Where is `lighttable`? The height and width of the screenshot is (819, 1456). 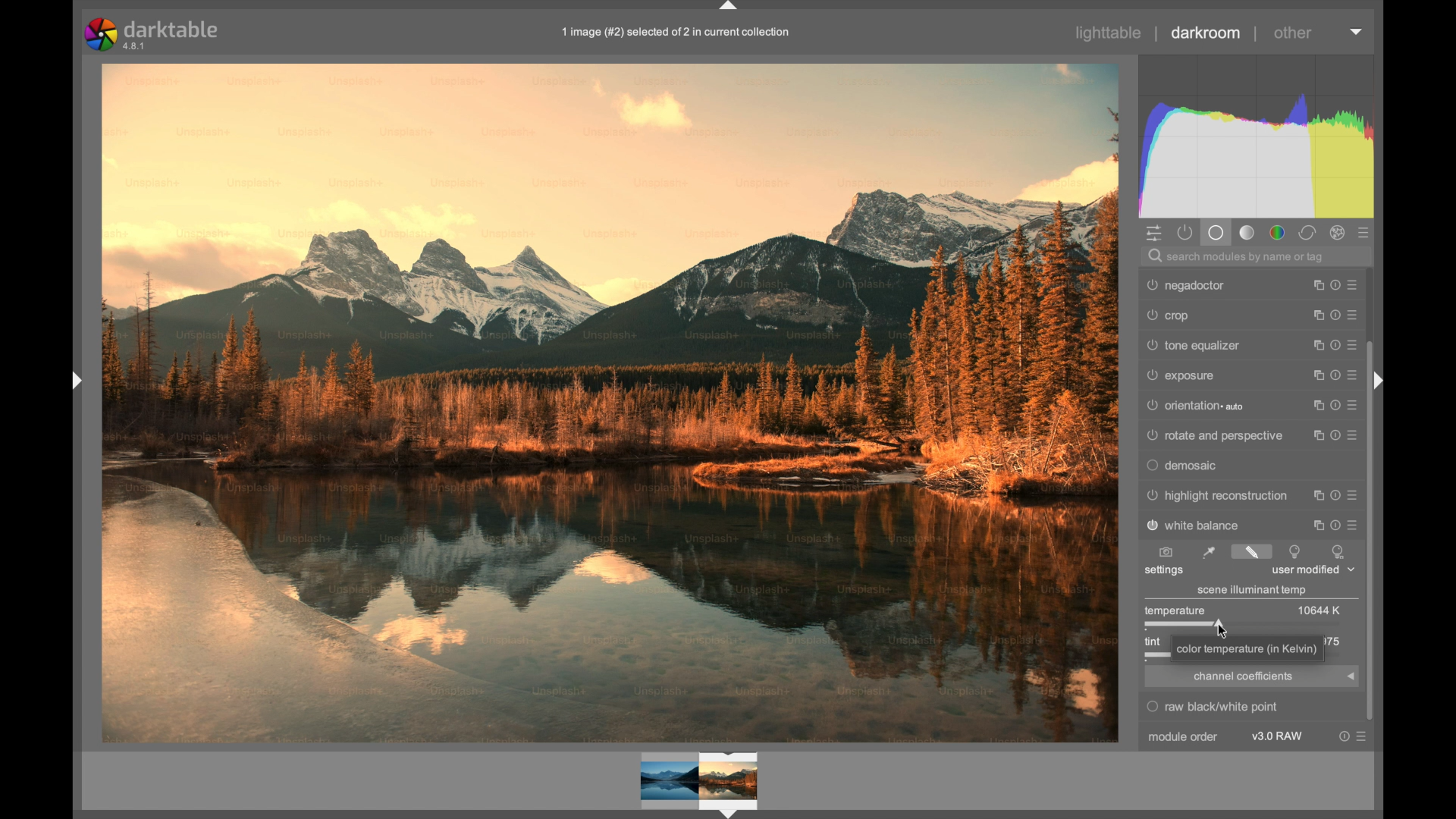 lighttable is located at coordinates (1109, 33).